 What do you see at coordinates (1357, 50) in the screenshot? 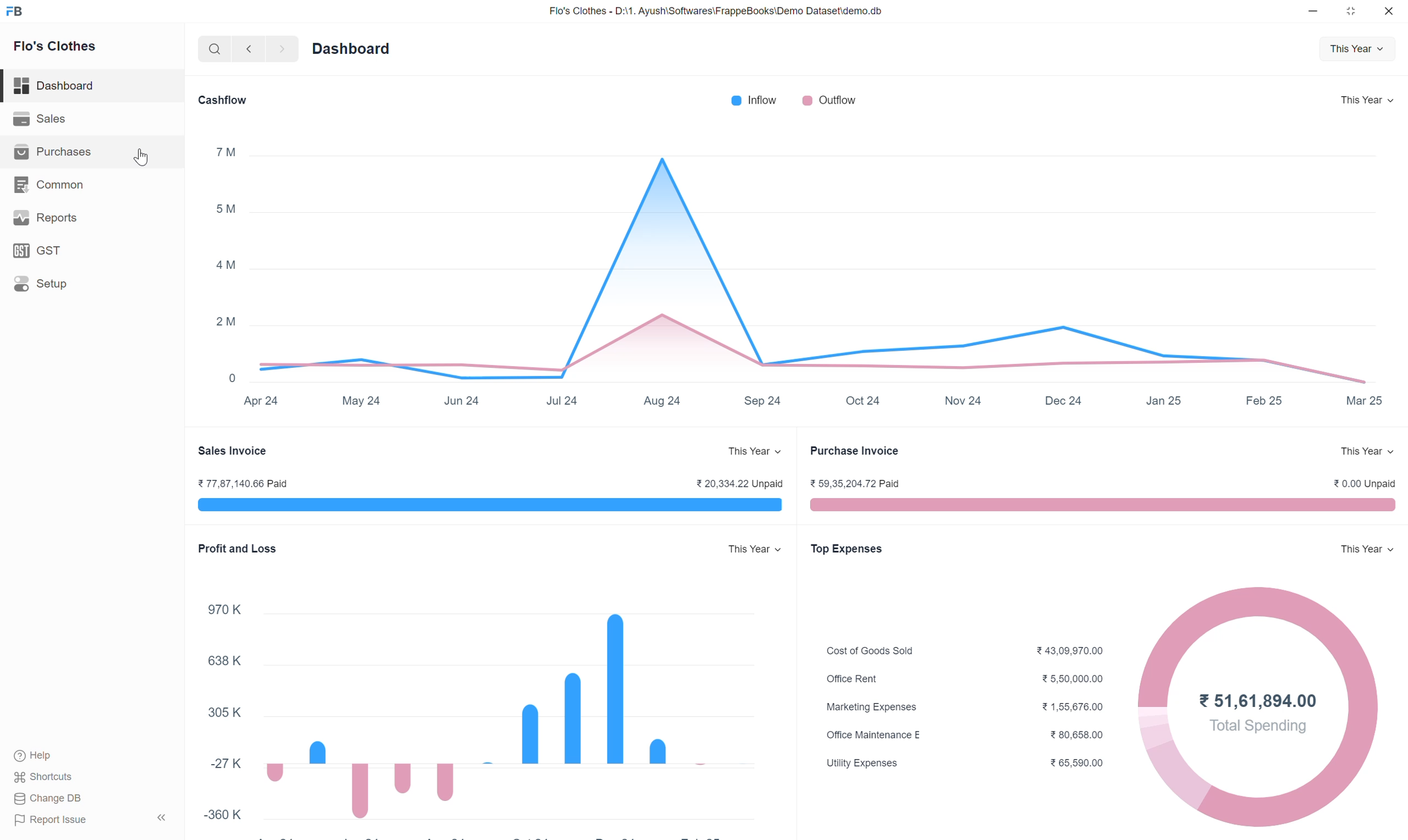
I see `This Year` at bounding box center [1357, 50].